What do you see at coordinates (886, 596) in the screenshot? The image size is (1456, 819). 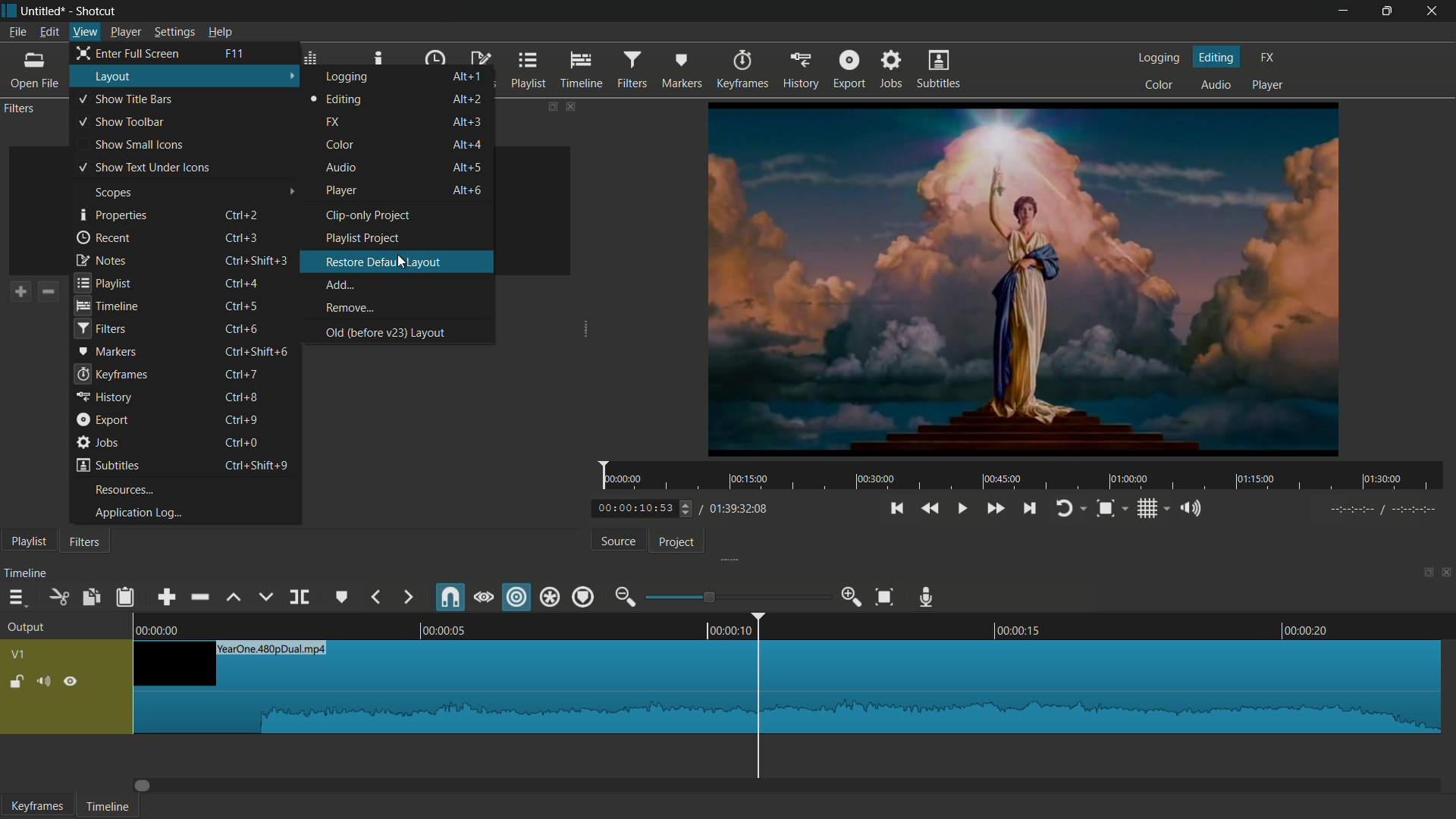 I see `zoom timeline to fit` at bounding box center [886, 596].